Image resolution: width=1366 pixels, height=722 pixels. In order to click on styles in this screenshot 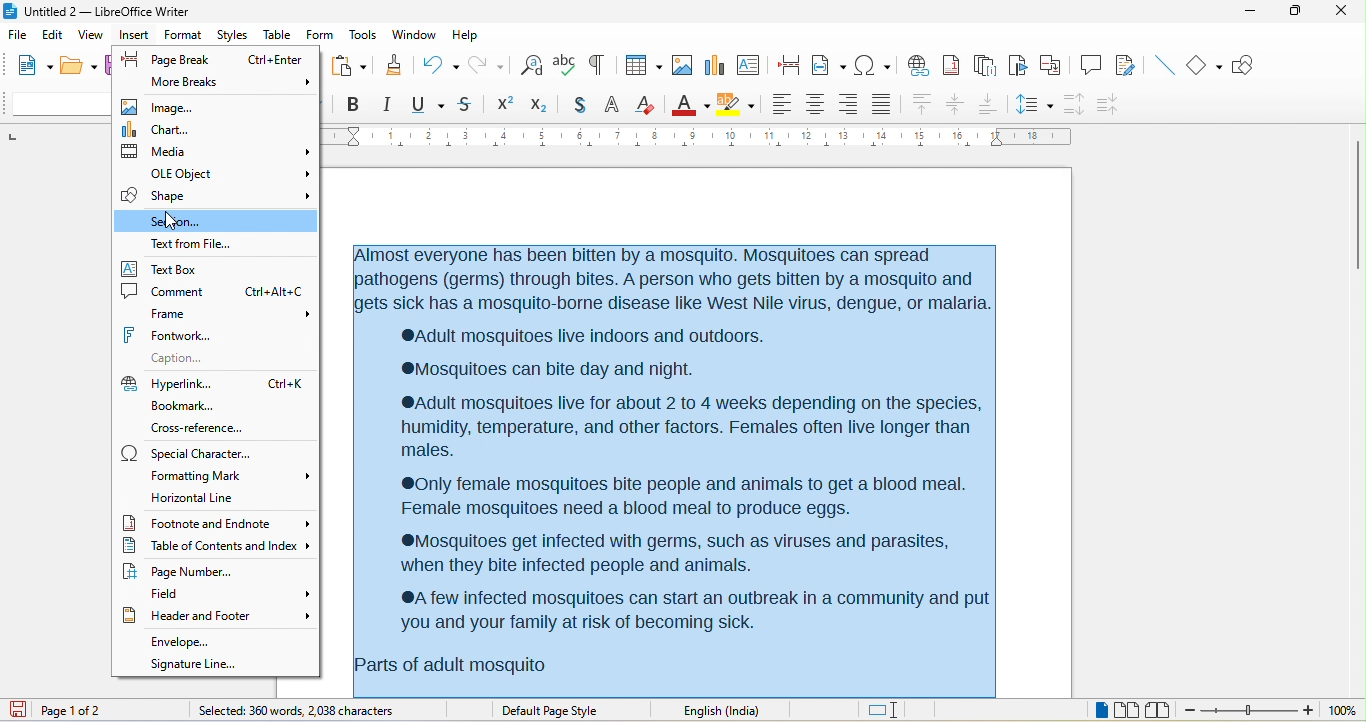, I will do `click(233, 34)`.